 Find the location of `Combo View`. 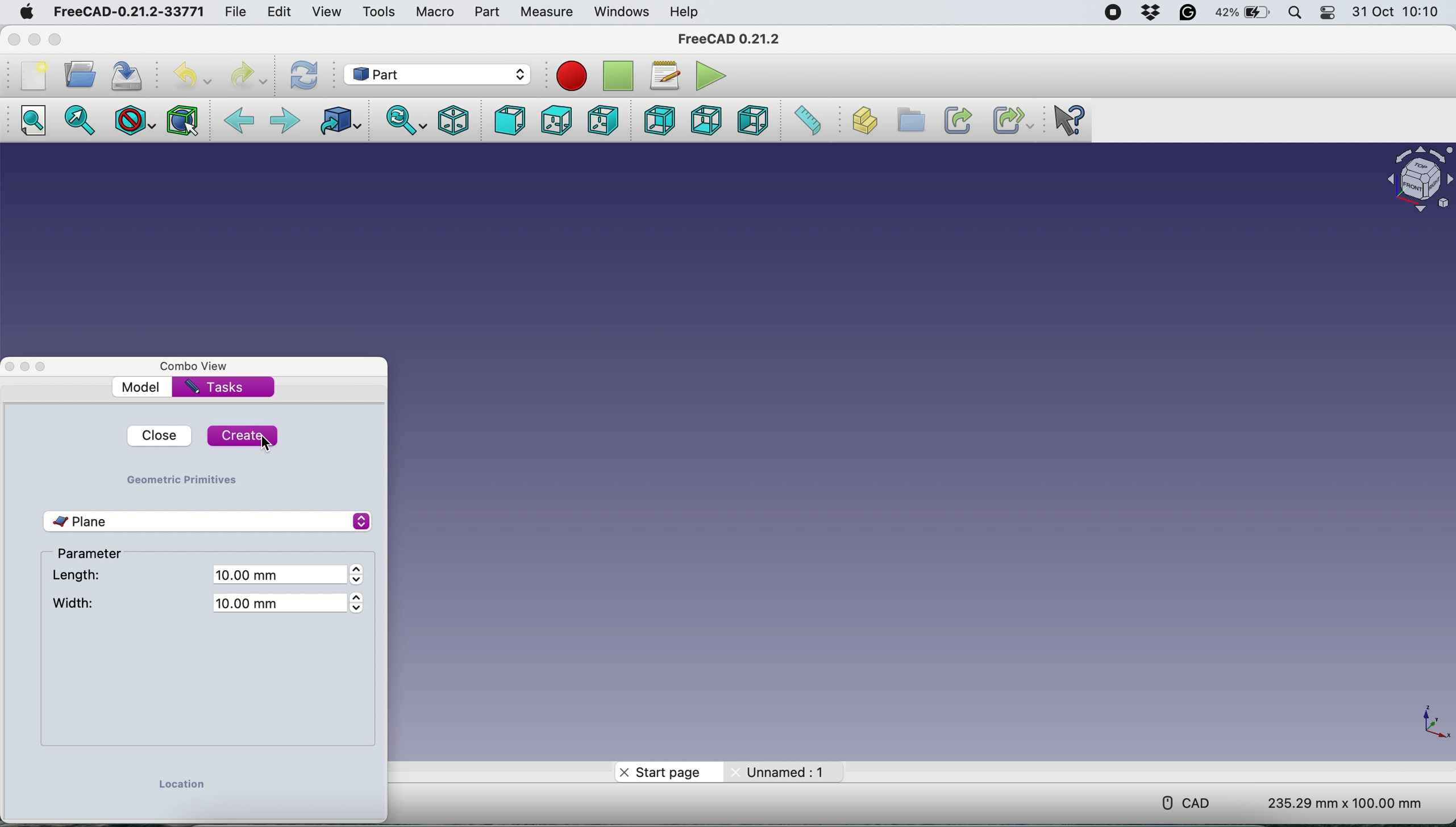

Combo View is located at coordinates (195, 367).